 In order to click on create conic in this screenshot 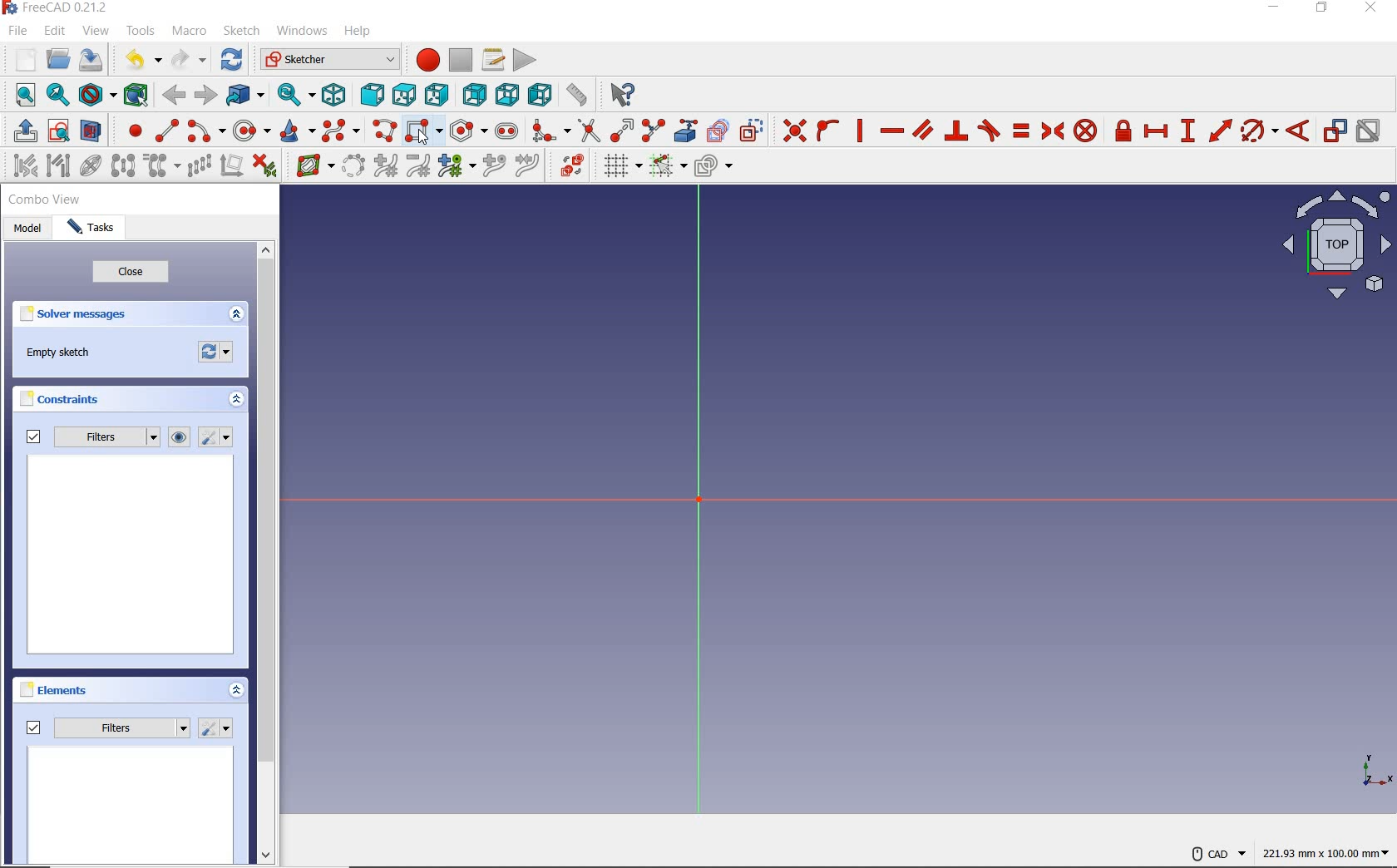, I will do `click(297, 132)`.